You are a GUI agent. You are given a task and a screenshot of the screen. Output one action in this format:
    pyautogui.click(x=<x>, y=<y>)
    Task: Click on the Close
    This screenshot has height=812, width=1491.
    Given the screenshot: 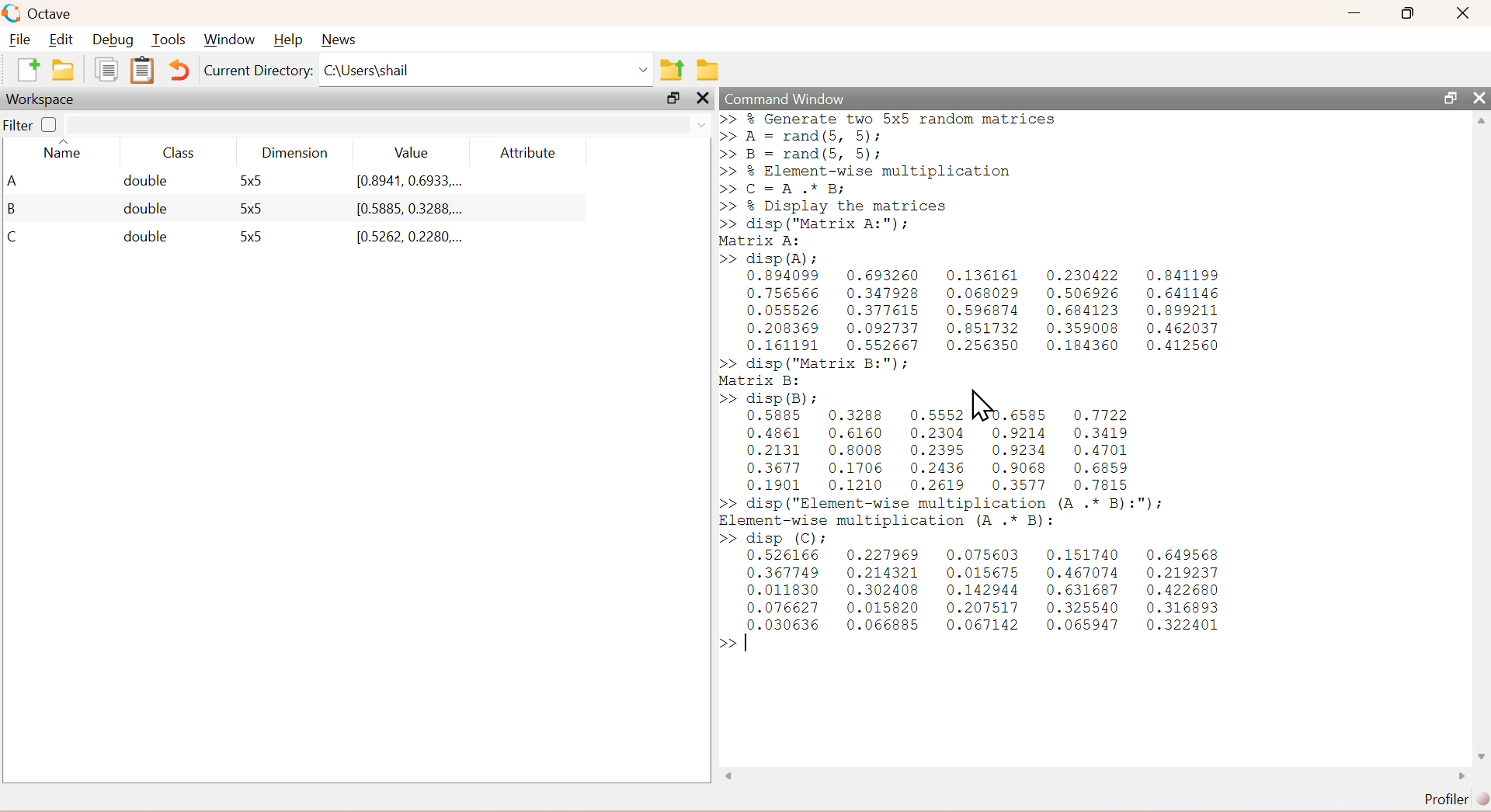 What is the action you would take?
    pyautogui.click(x=1465, y=15)
    